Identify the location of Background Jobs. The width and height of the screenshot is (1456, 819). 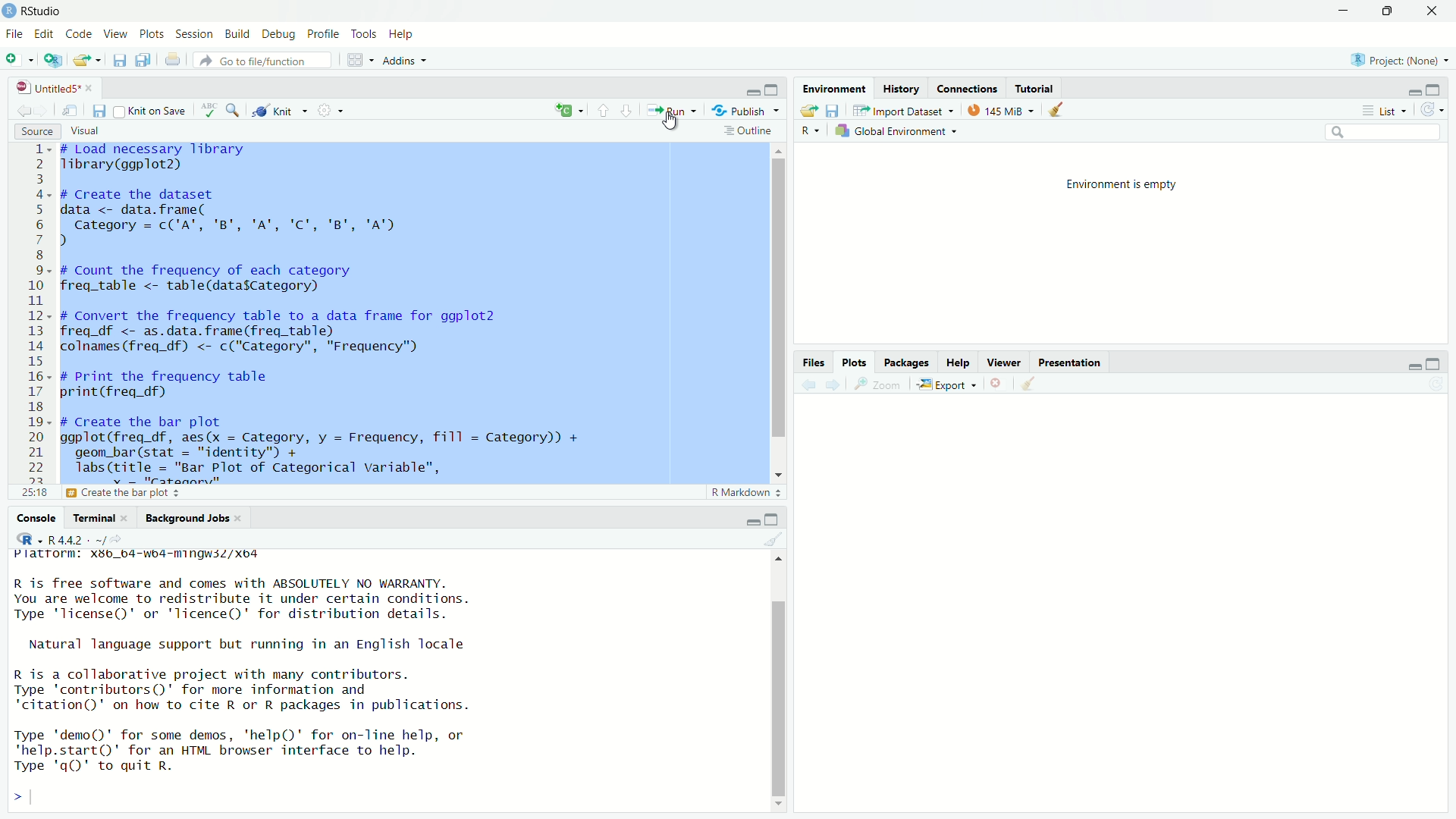
(189, 518).